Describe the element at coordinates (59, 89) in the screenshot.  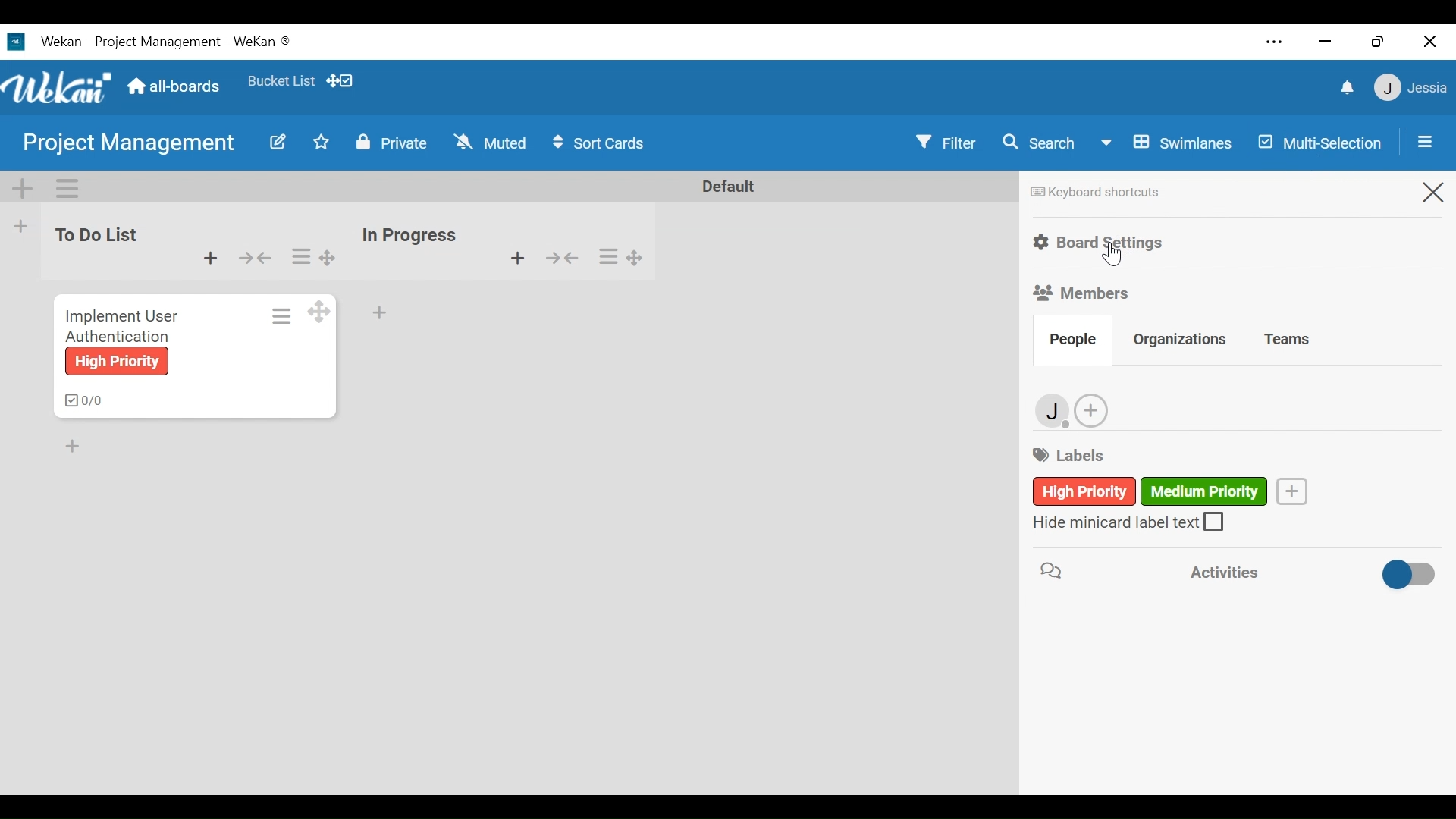
I see `wekan logo` at that location.